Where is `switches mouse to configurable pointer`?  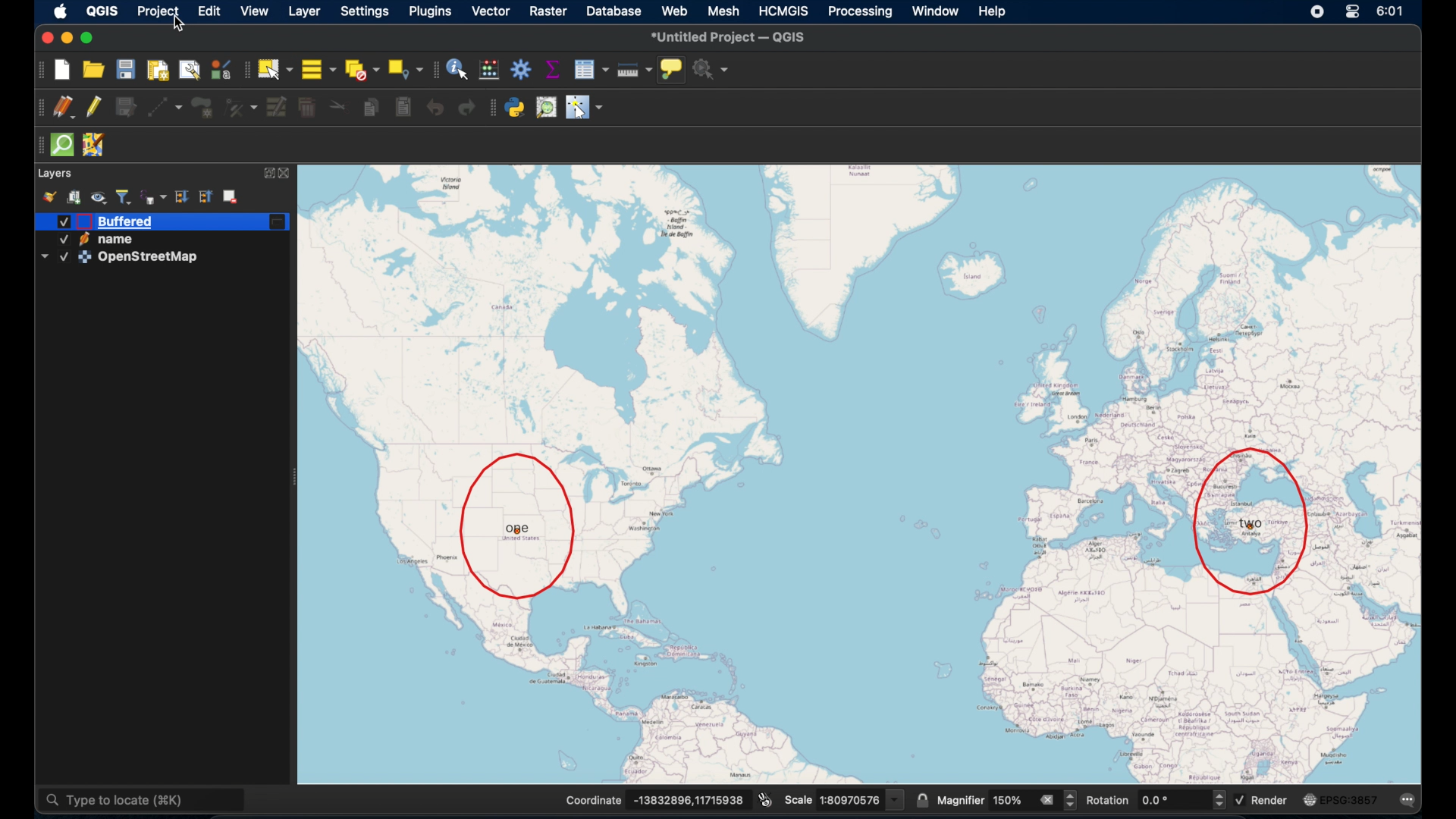 switches mouse to configurable pointer is located at coordinates (585, 108).